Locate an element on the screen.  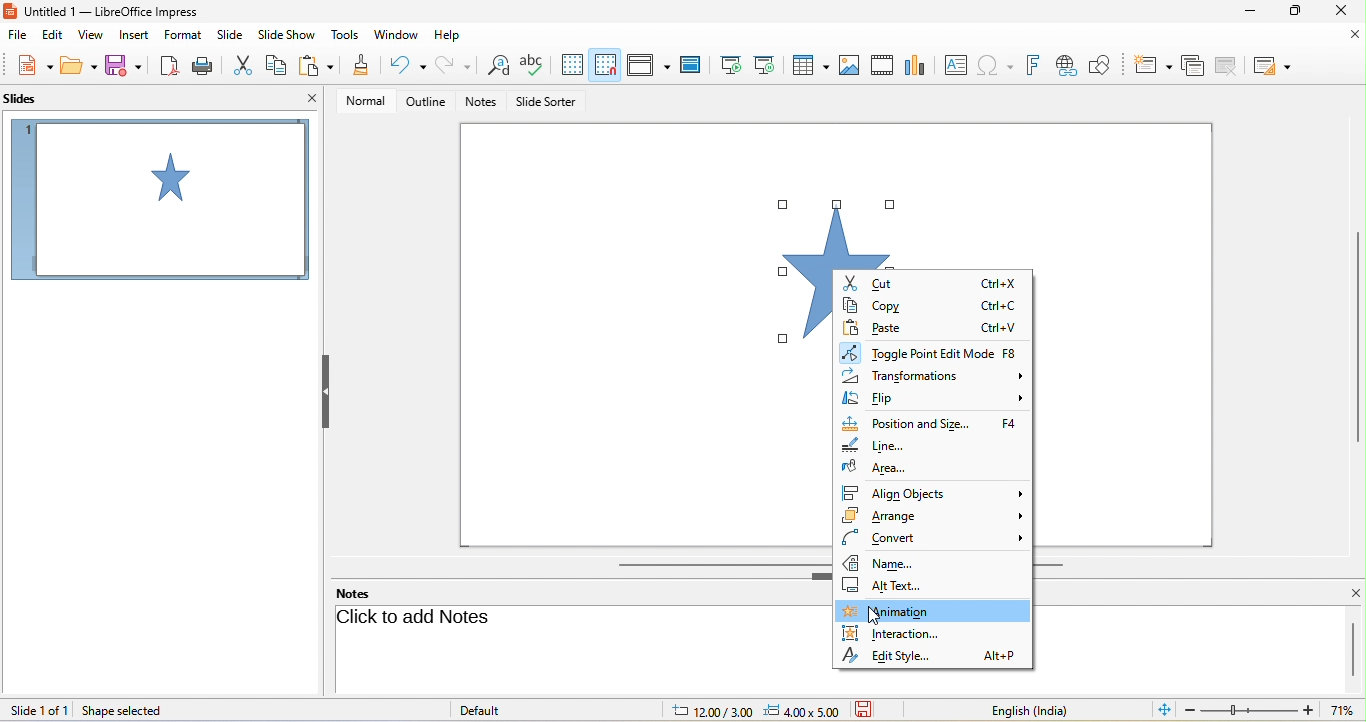
help is located at coordinates (448, 36).